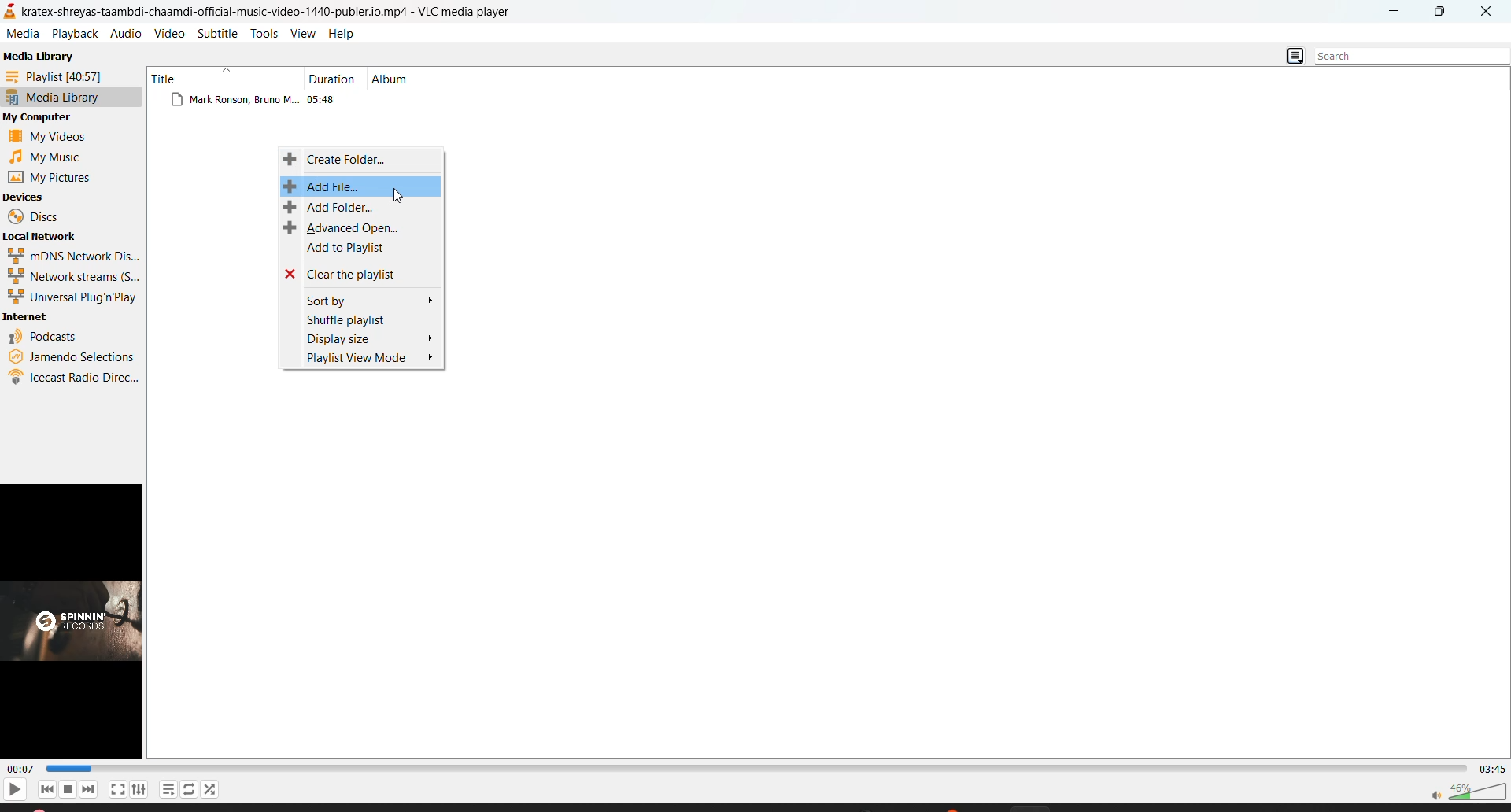  What do you see at coordinates (75, 277) in the screenshot?
I see `network streams` at bounding box center [75, 277].